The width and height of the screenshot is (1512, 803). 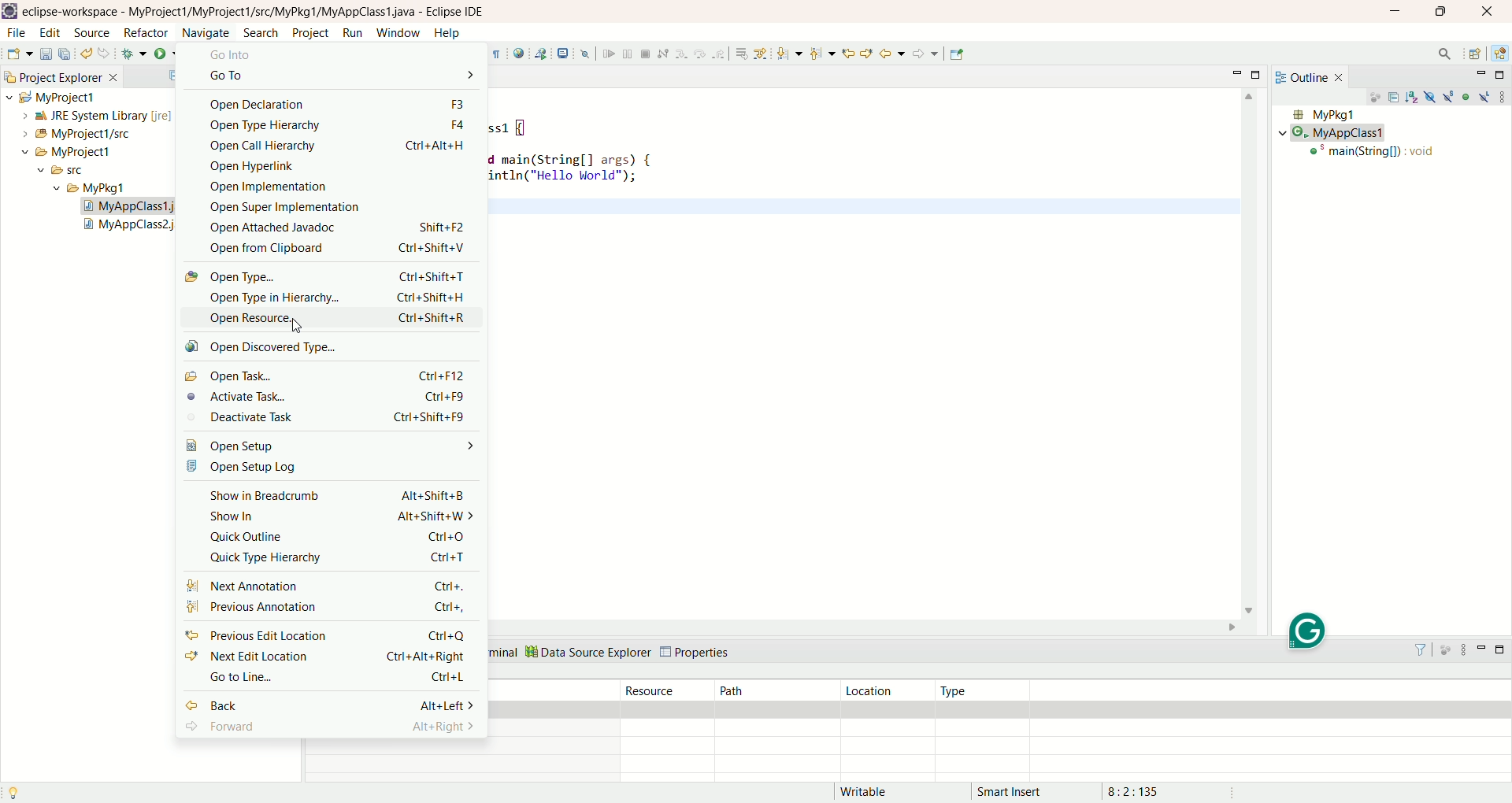 What do you see at coordinates (1259, 74) in the screenshot?
I see `maximize` at bounding box center [1259, 74].